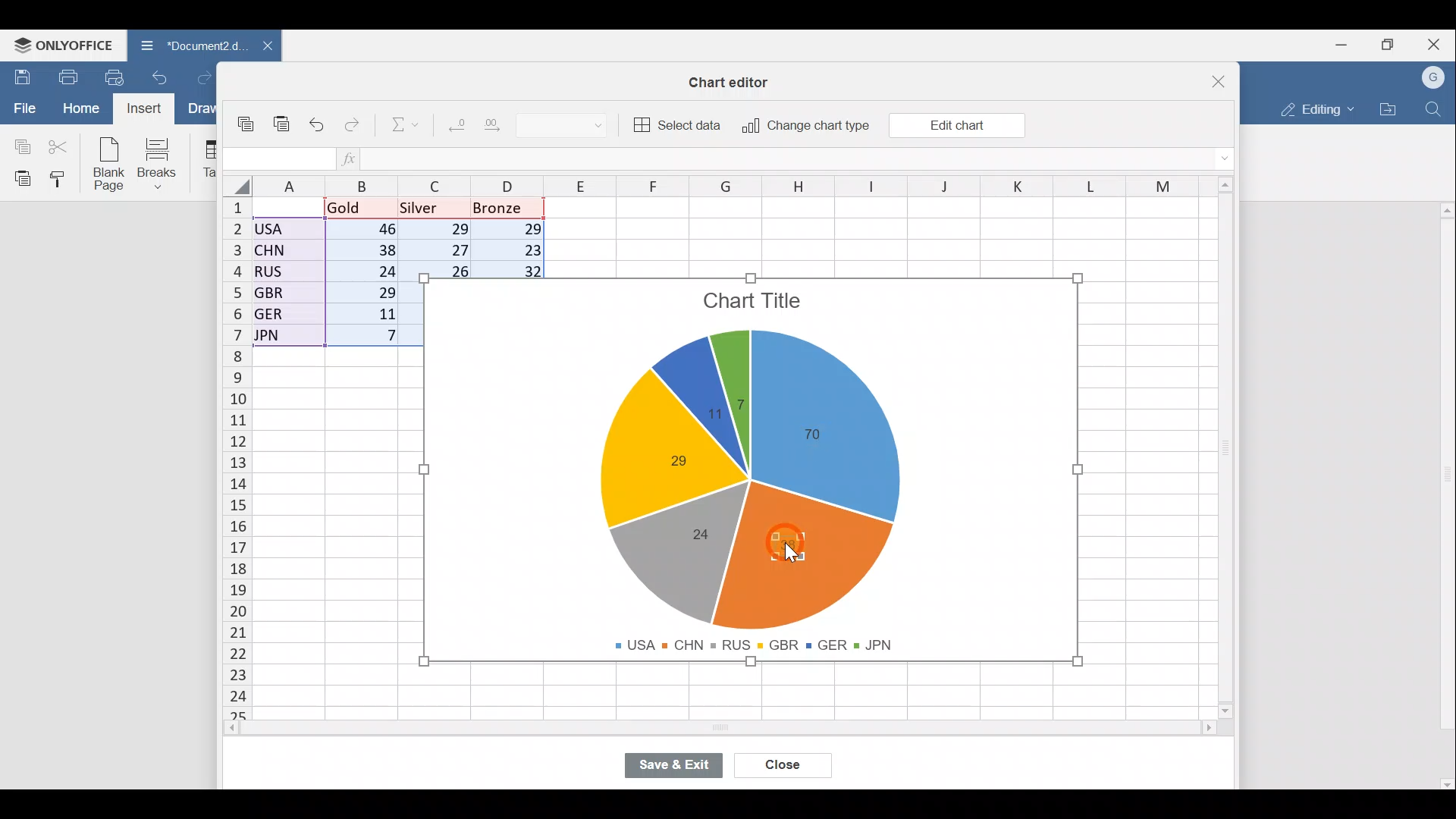 The height and width of the screenshot is (819, 1456). Describe the element at coordinates (283, 129) in the screenshot. I see `Paste` at that location.